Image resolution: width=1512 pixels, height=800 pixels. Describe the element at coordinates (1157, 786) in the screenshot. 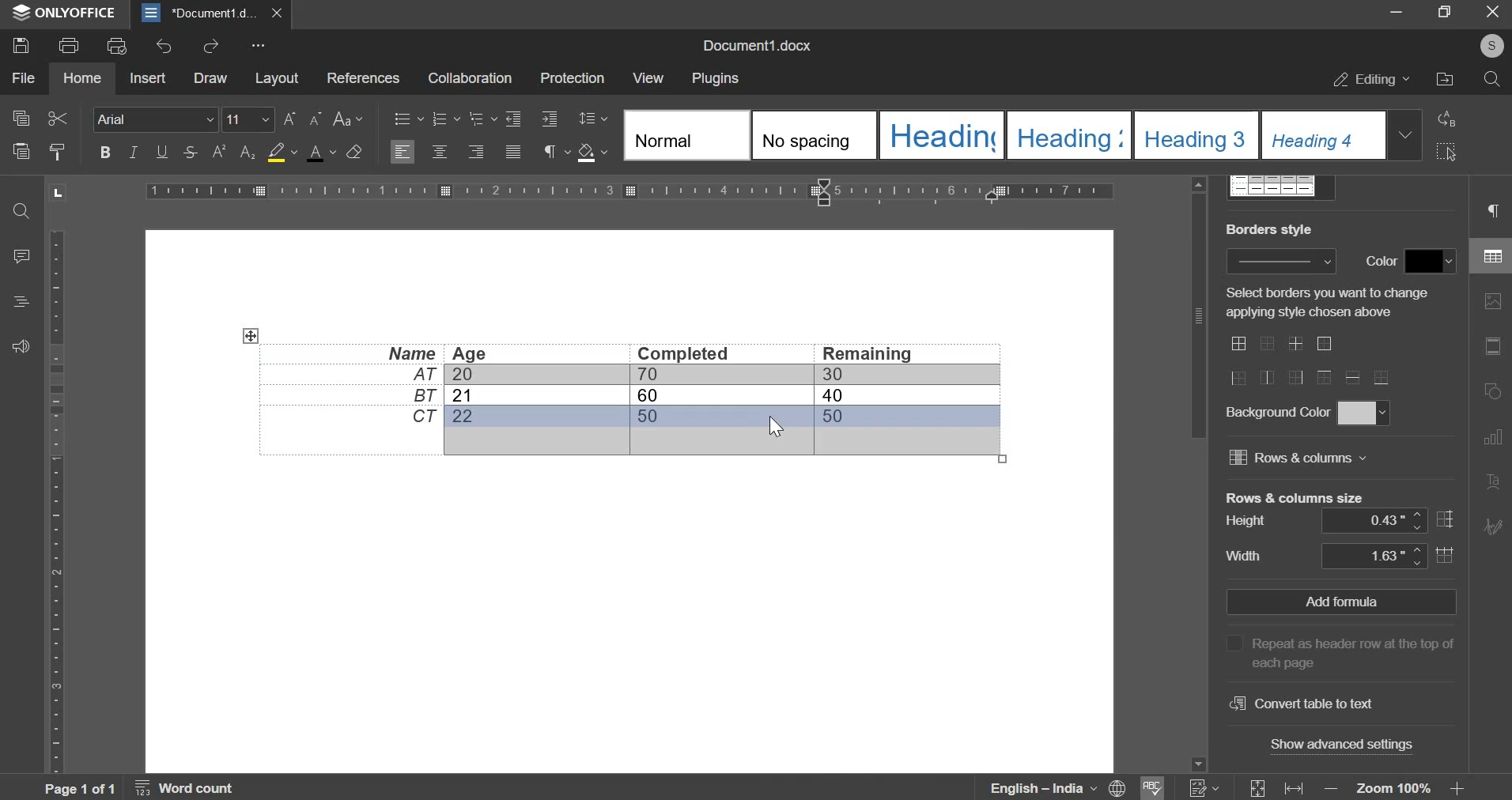

I see `spelling` at that location.